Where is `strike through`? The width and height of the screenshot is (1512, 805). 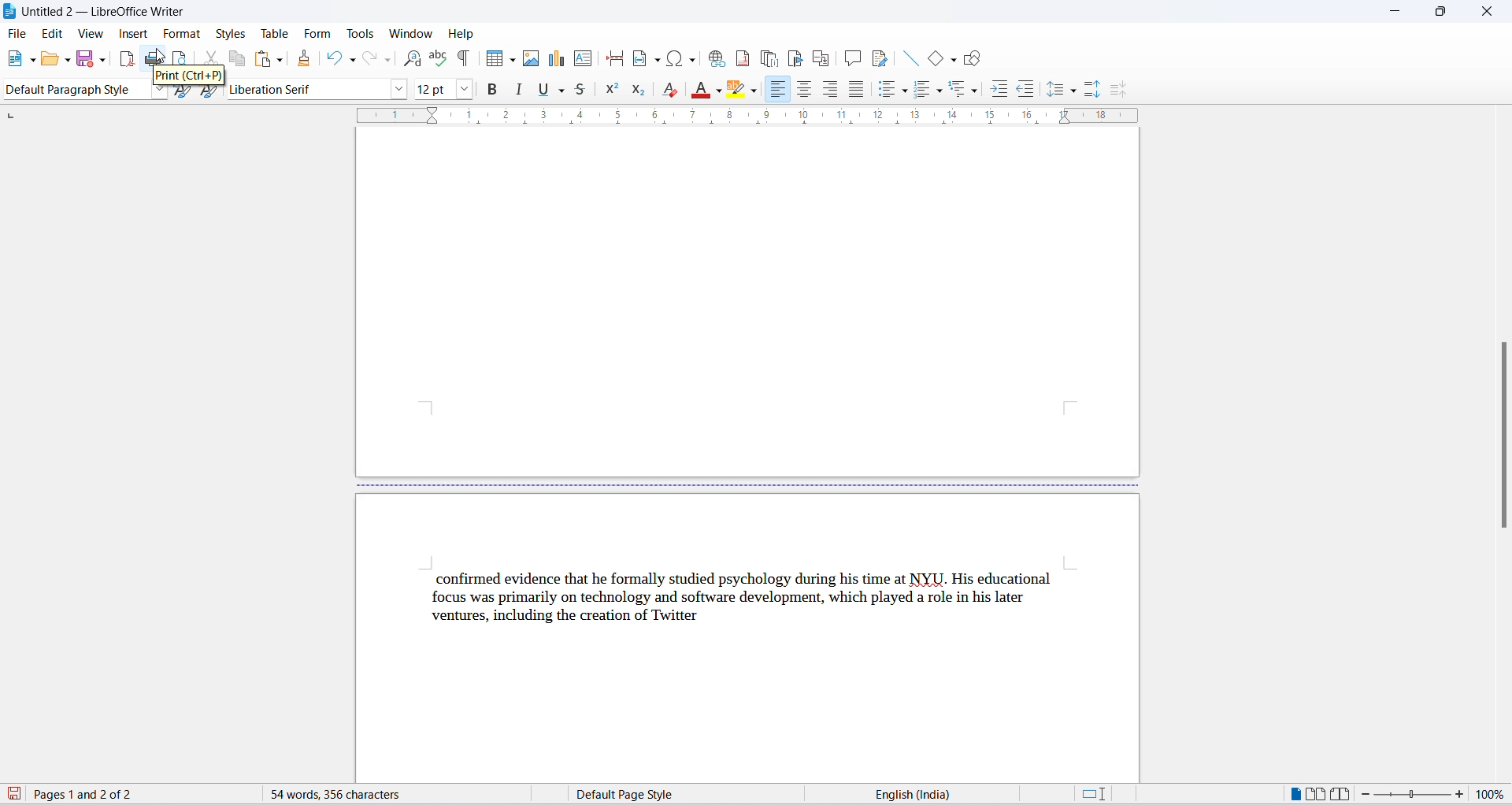
strike through is located at coordinates (584, 93).